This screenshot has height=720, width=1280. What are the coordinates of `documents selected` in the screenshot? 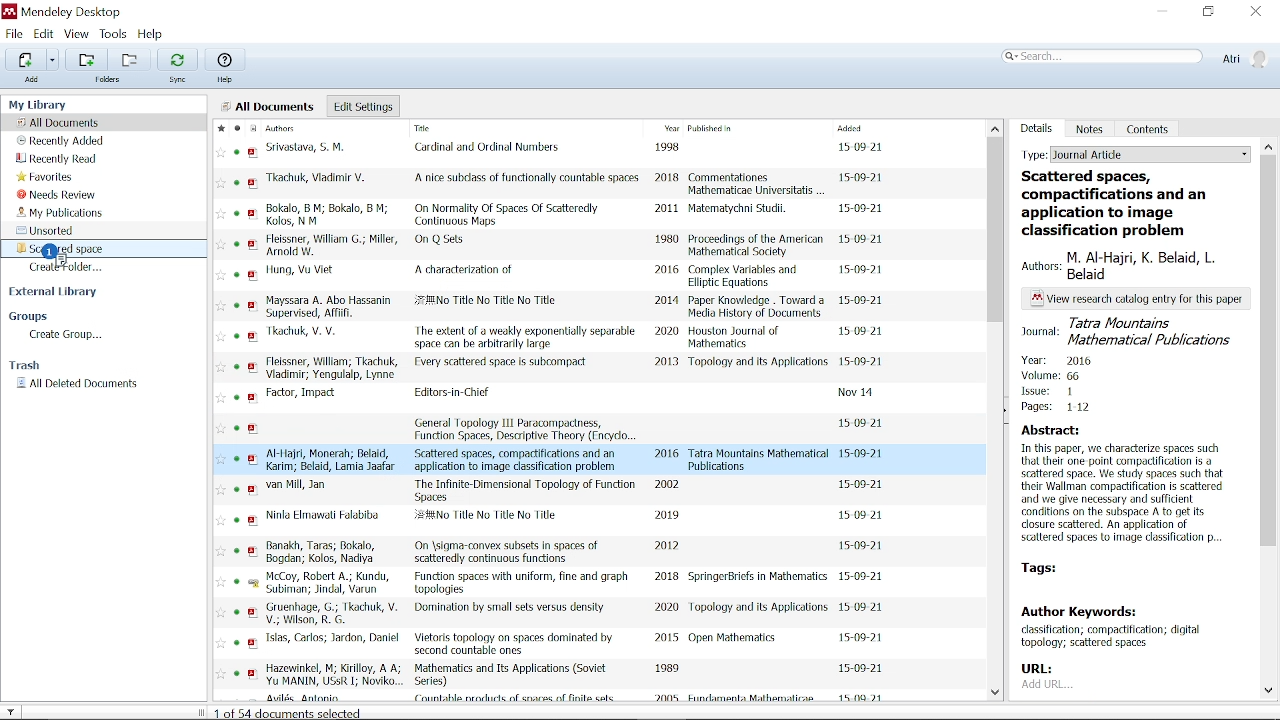 It's located at (292, 712).